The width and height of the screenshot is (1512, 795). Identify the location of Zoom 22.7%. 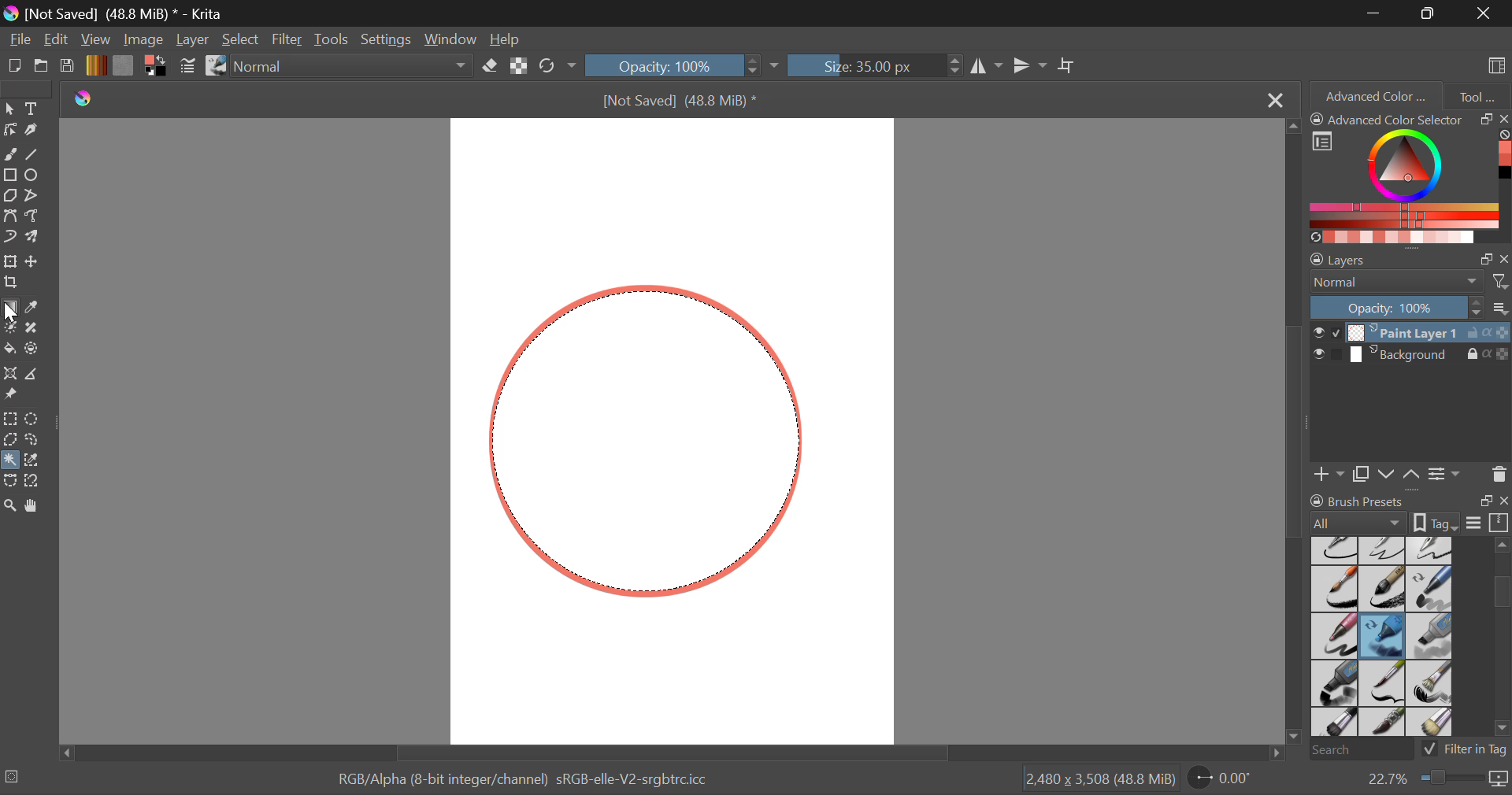
(1431, 779).